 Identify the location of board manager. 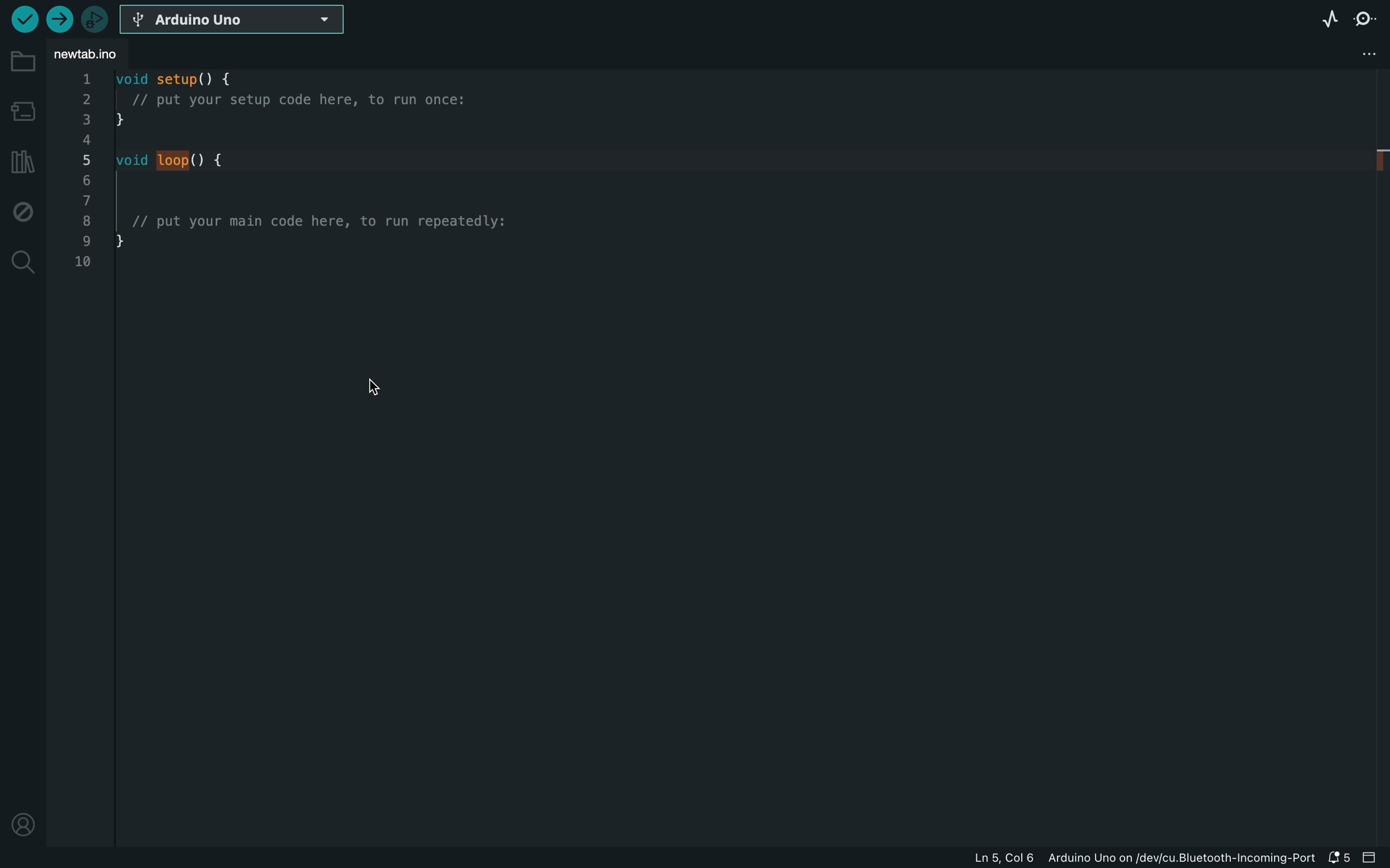
(23, 109).